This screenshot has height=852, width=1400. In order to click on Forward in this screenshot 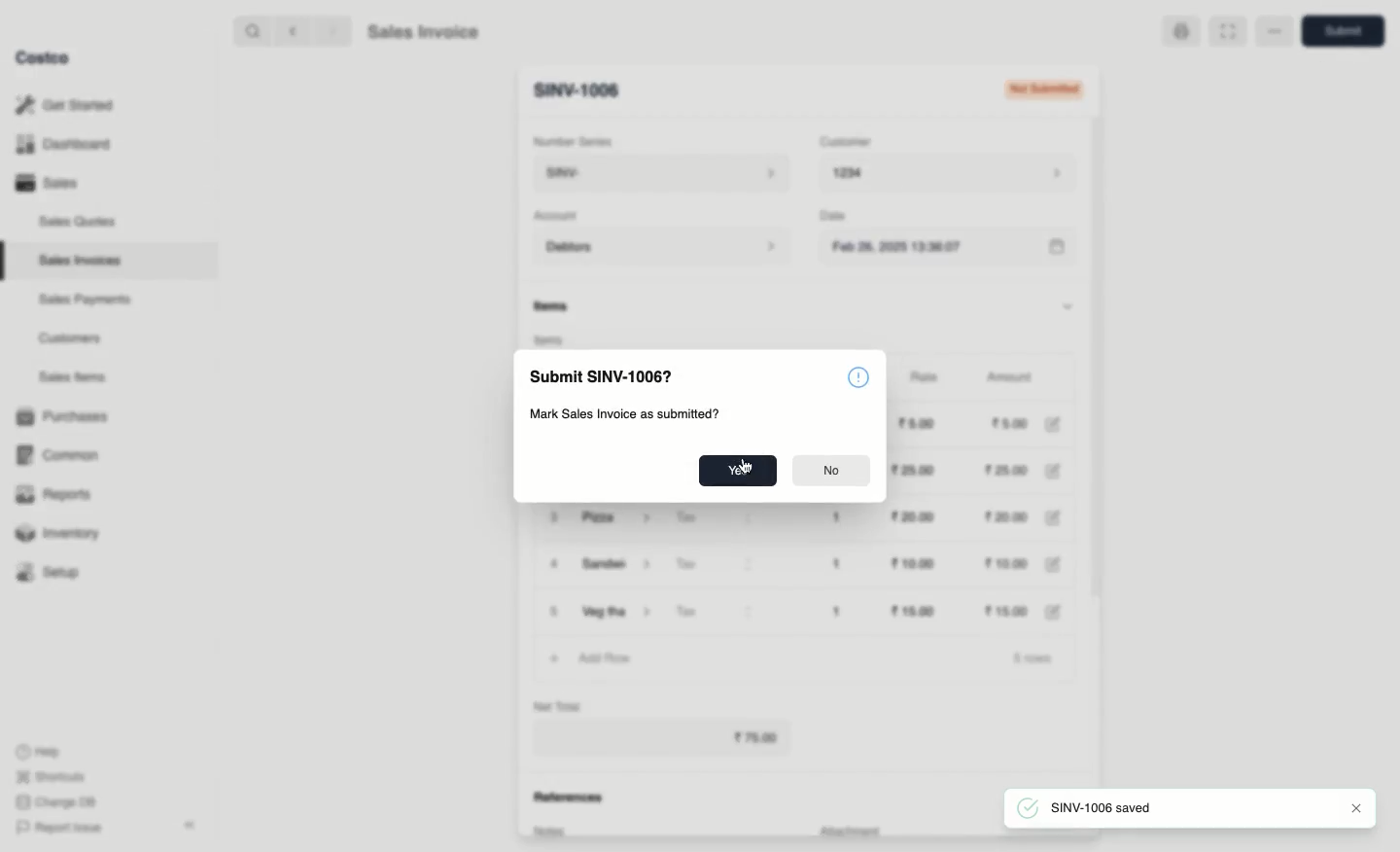, I will do `click(332, 32)`.